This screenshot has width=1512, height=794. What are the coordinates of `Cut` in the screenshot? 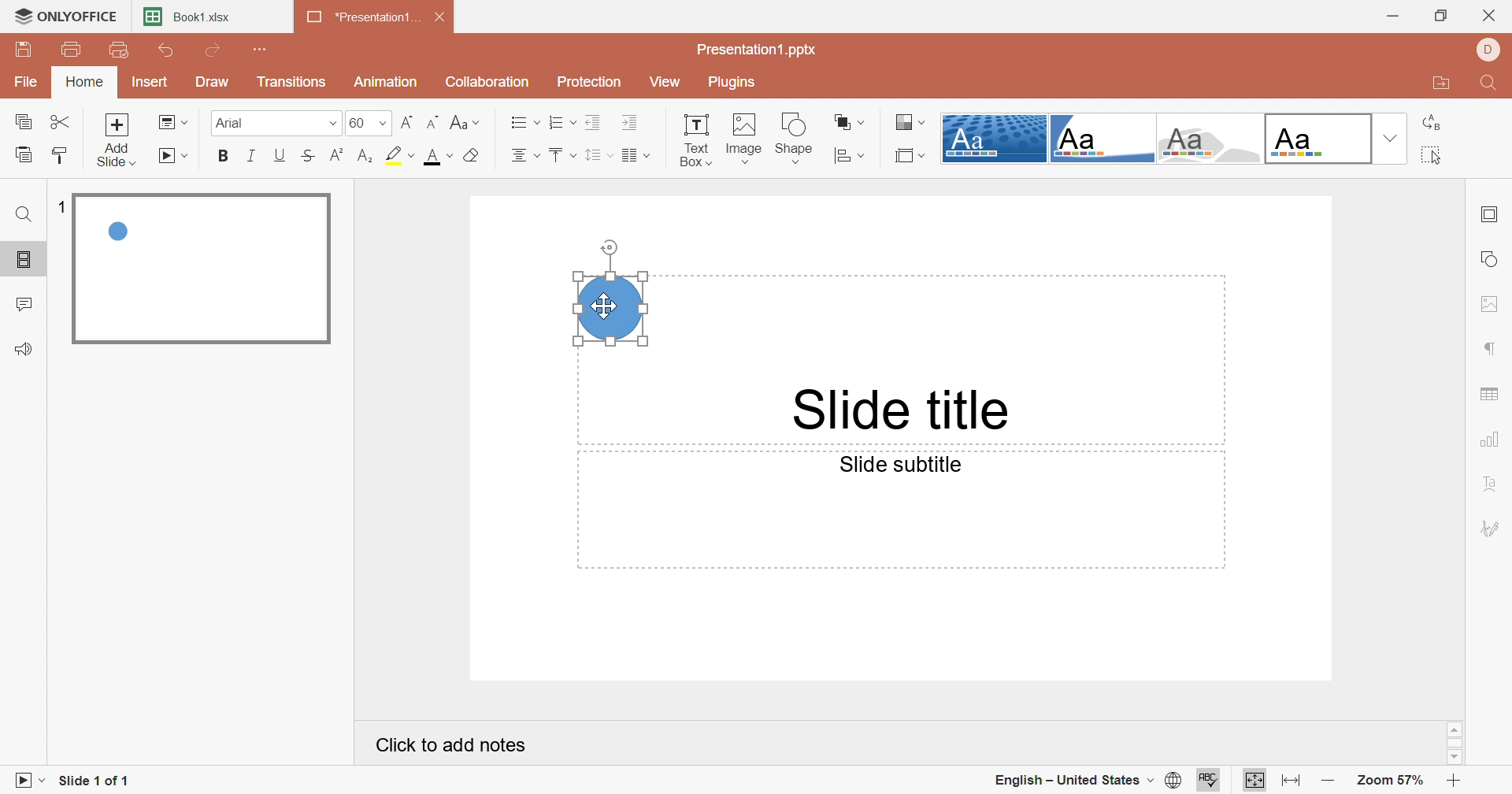 It's located at (61, 121).